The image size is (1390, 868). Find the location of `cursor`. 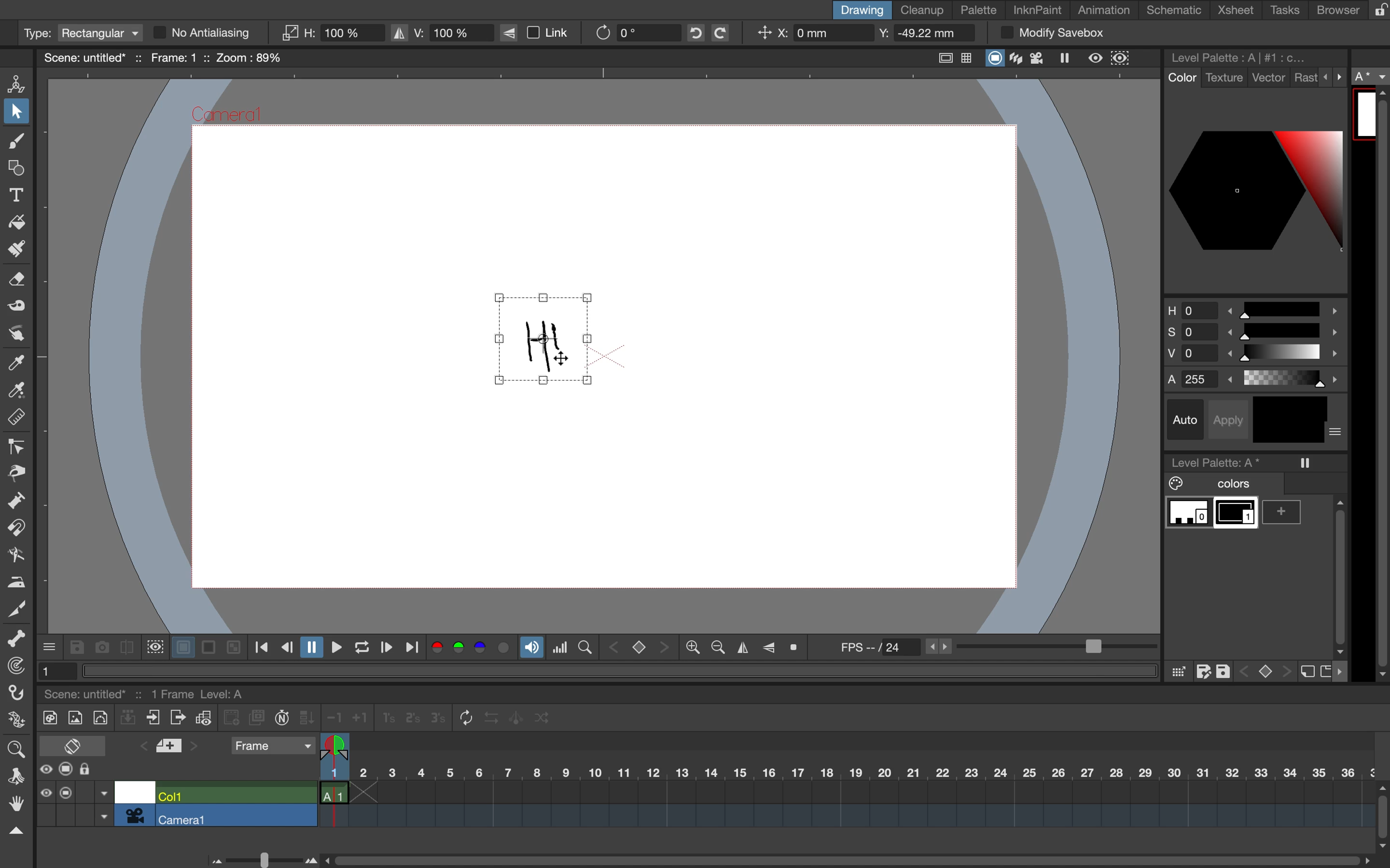

cursor is located at coordinates (563, 360).